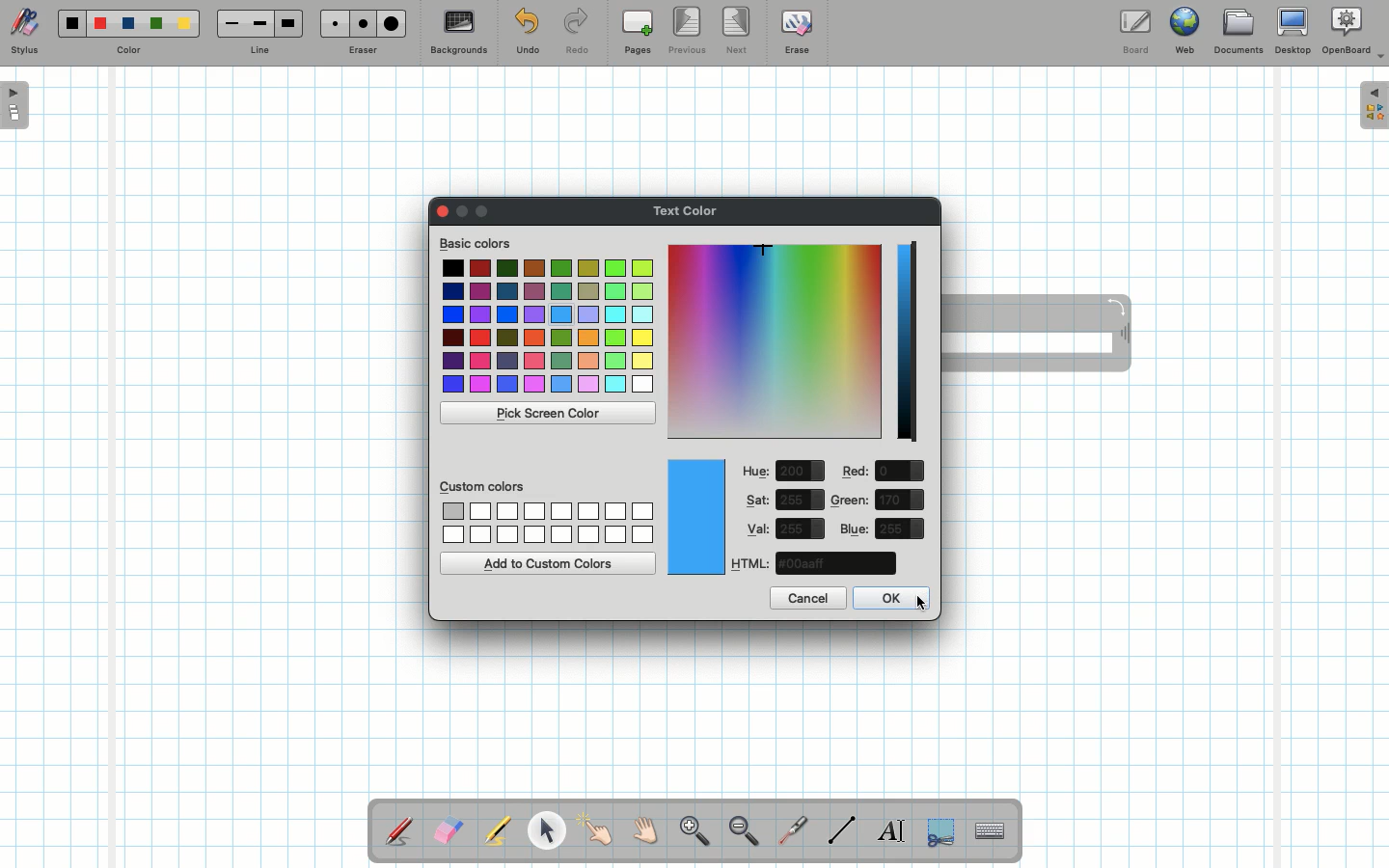 This screenshot has width=1389, height=868. I want to click on Custom colors, so click(547, 523).